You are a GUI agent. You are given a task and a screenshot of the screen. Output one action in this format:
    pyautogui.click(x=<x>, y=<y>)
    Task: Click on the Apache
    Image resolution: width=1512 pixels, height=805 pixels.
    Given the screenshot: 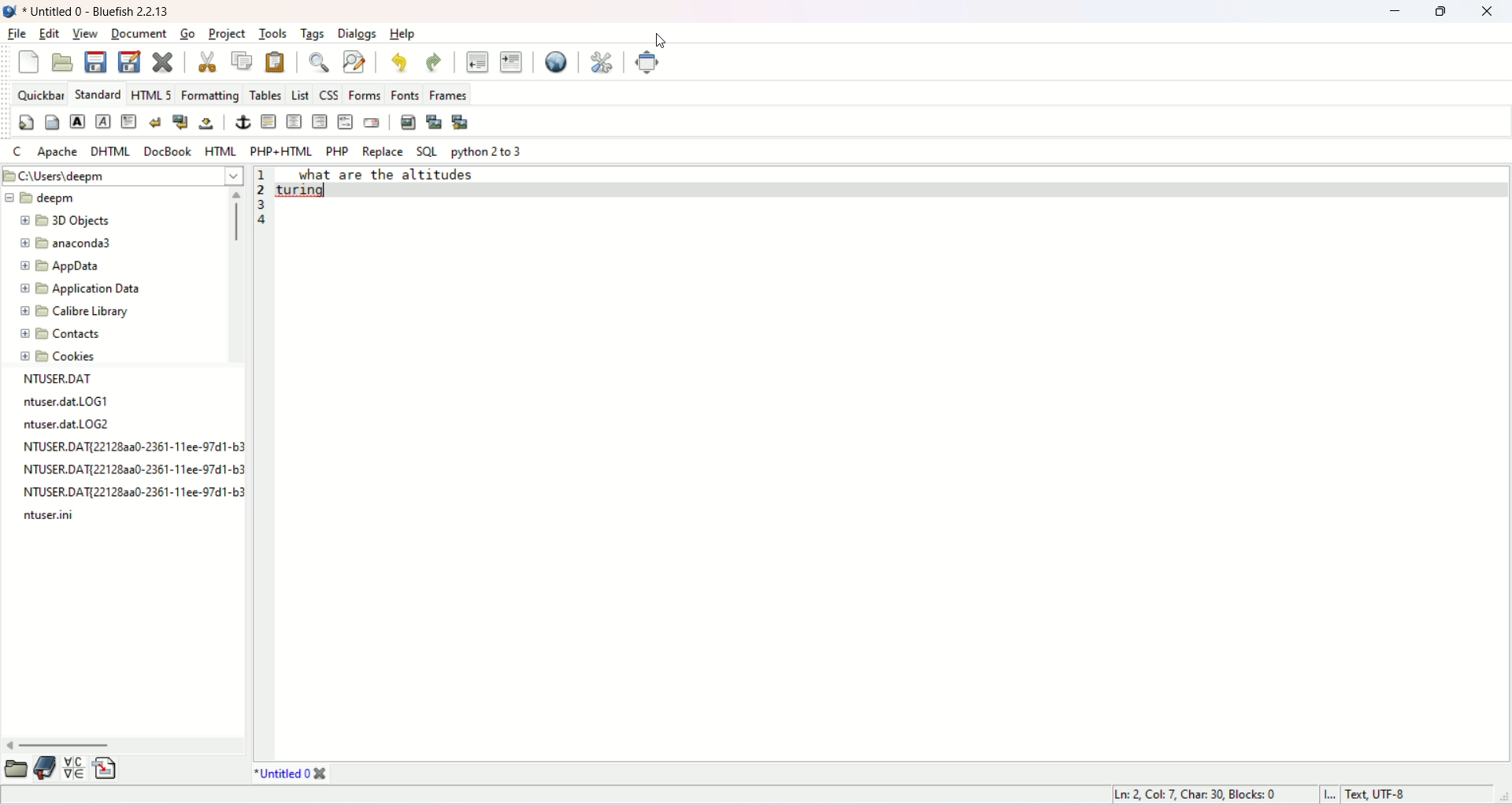 What is the action you would take?
    pyautogui.click(x=56, y=152)
    